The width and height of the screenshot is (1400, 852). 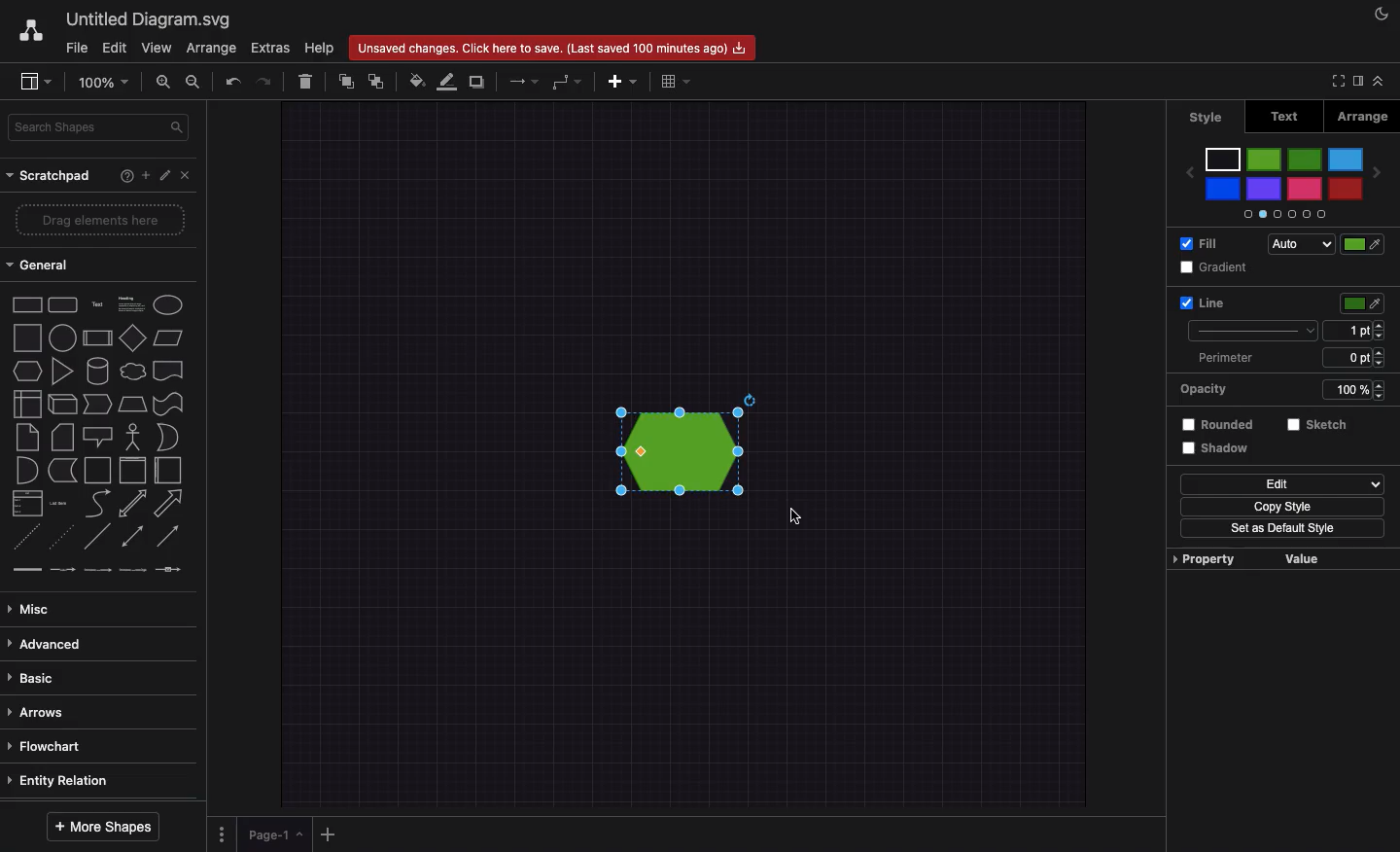 I want to click on Arrows, so click(x=40, y=711).